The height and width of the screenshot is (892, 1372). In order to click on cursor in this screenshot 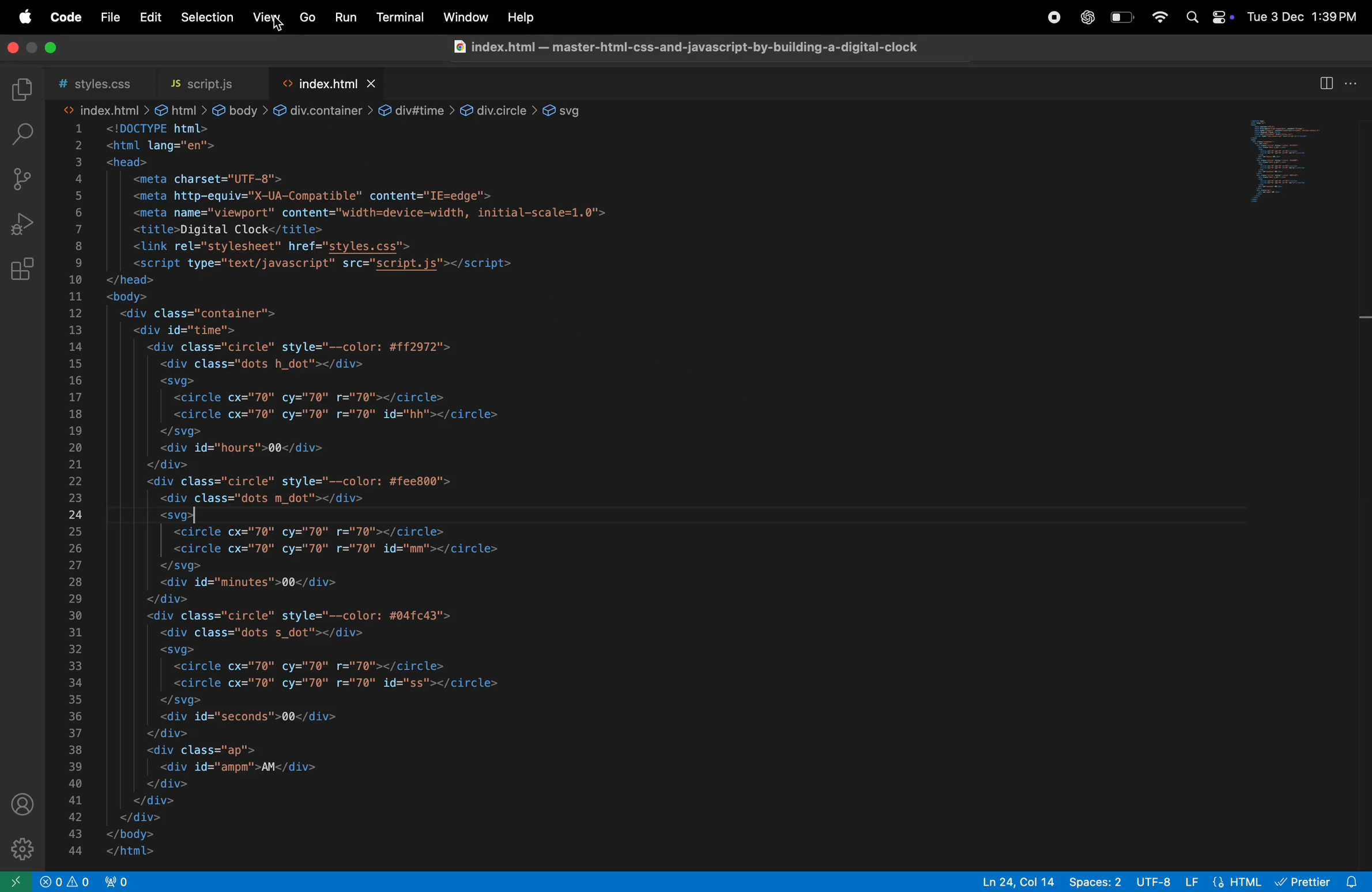, I will do `click(277, 32)`.